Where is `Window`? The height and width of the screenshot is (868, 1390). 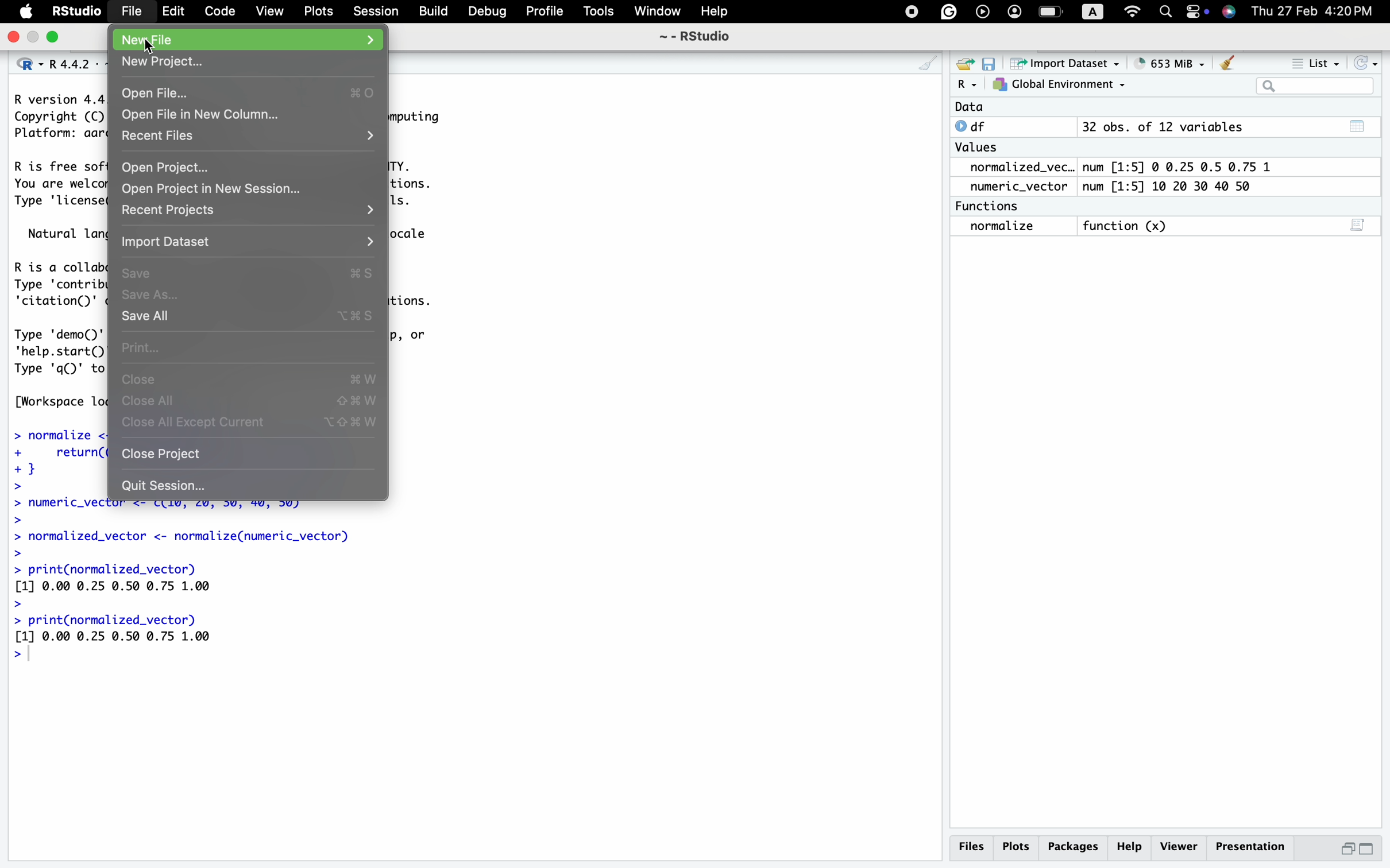 Window is located at coordinates (657, 13).